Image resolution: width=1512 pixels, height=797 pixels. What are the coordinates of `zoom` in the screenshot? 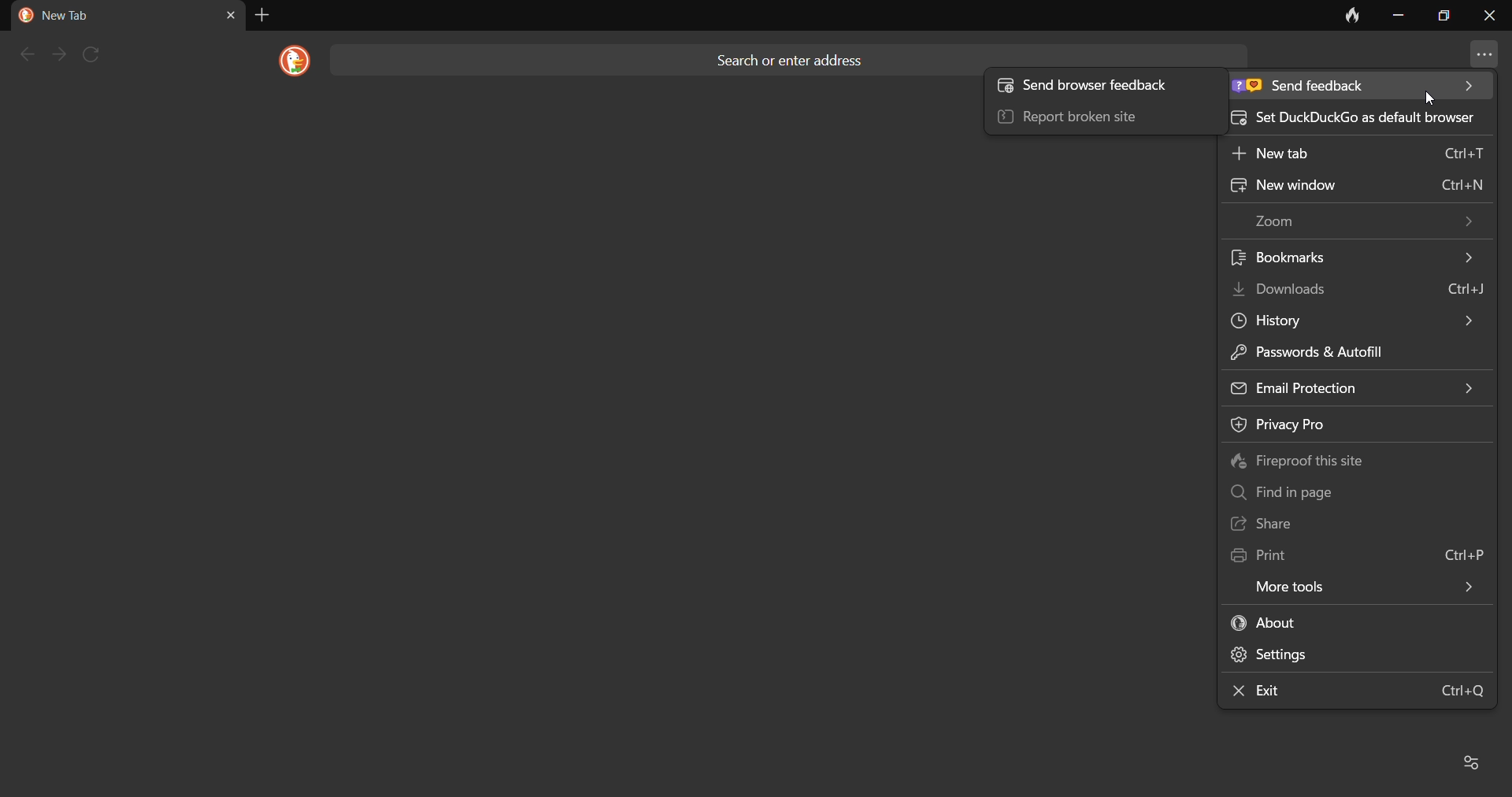 It's located at (1366, 221).